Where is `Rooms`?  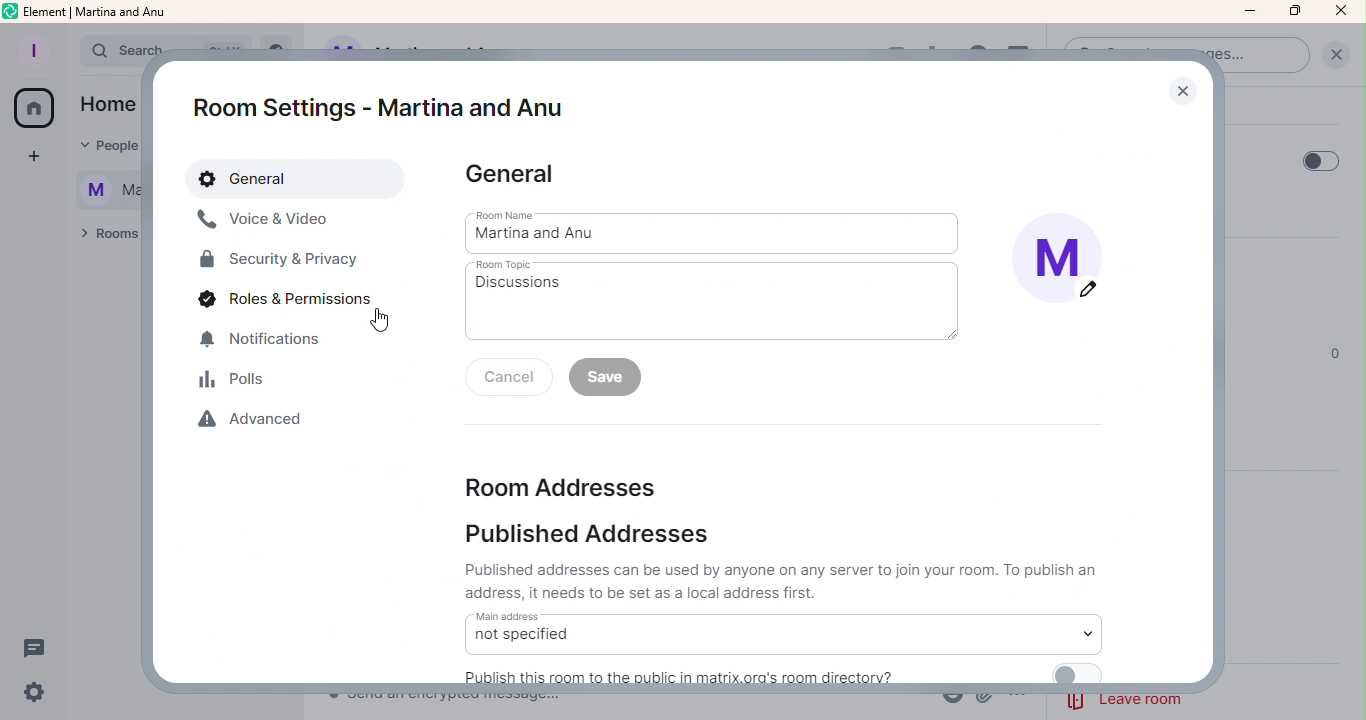
Rooms is located at coordinates (104, 238).